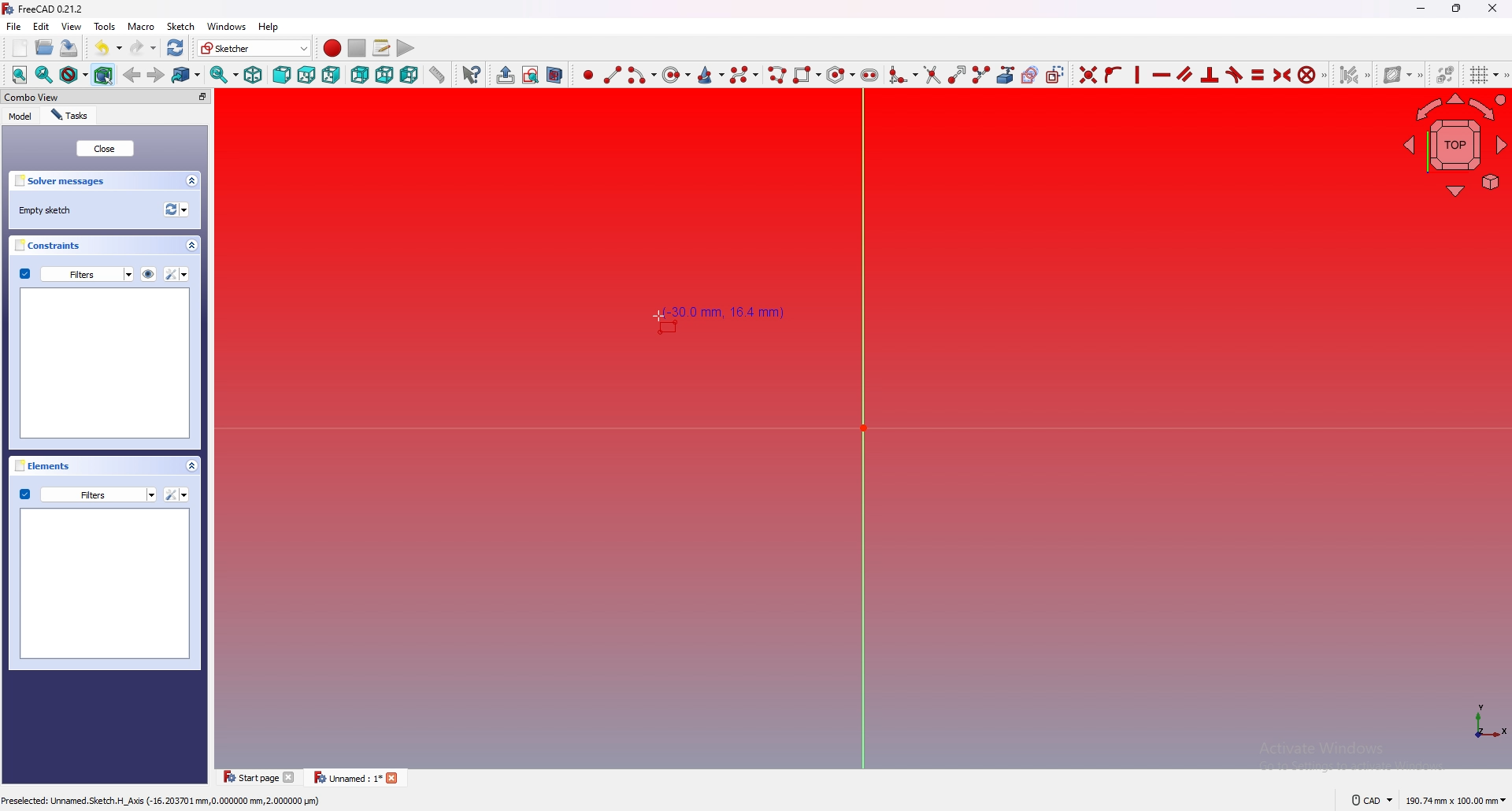 The width and height of the screenshot is (1512, 811). Describe the element at coordinates (333, 48) in the screenshot. I see `record macro` at that location.